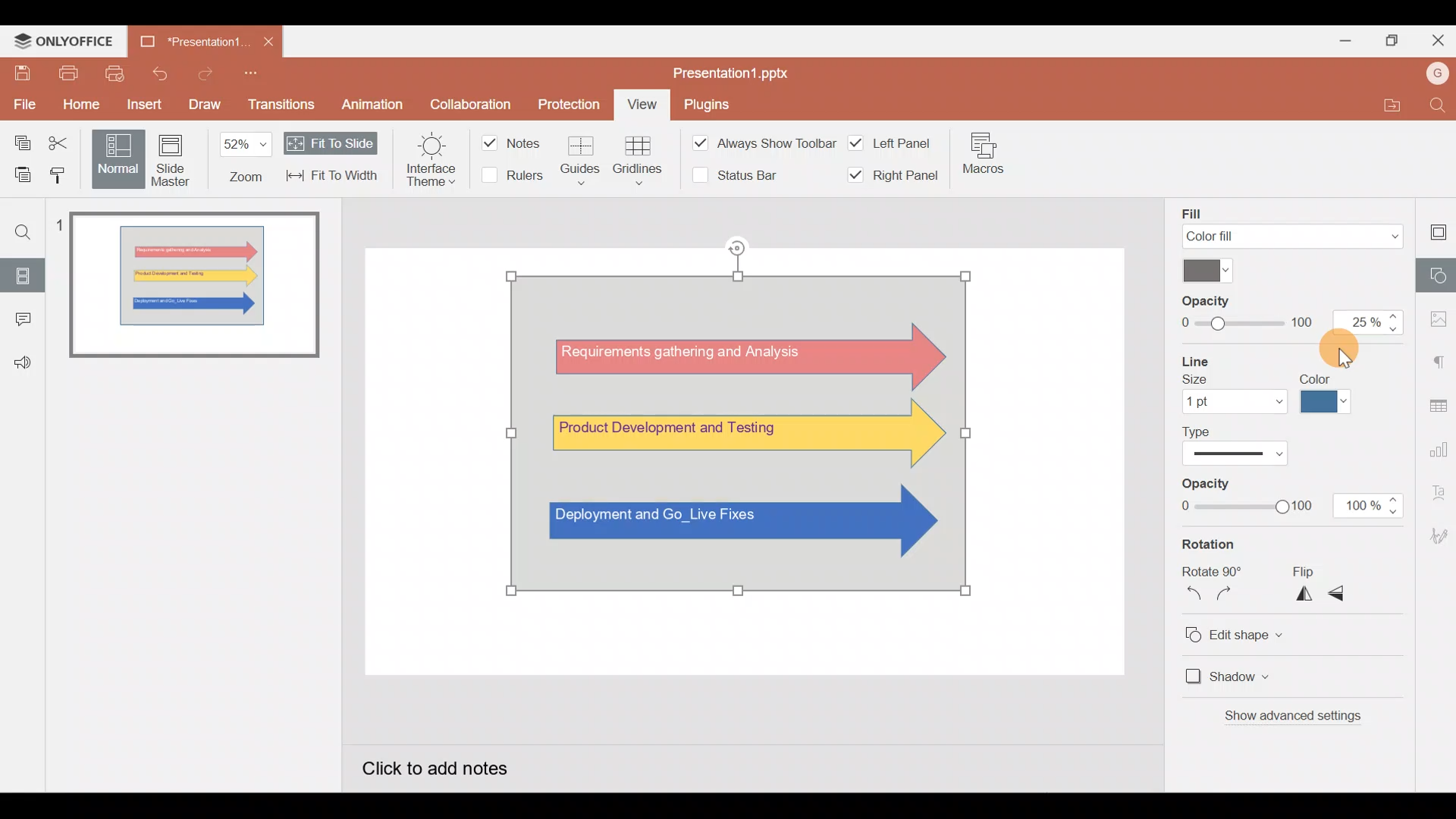 This screenshot has height=819, width=1456. I want to click on Slide pane, so click(210, 568).